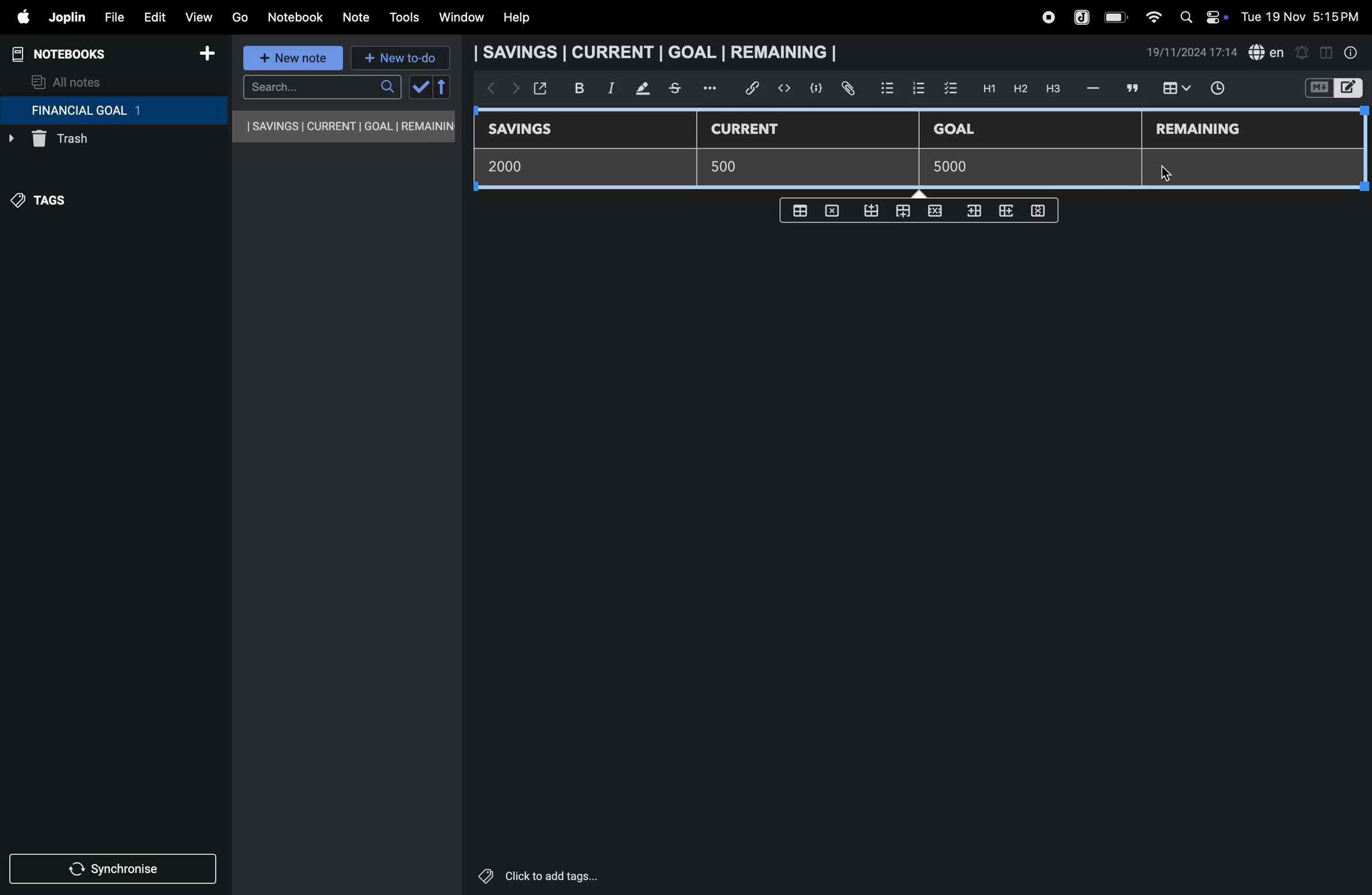 The width and height of the screenshot is (1372, 895). Describe the element at coordinates (987, 89) in the screenshot. I see `H1` at that location.